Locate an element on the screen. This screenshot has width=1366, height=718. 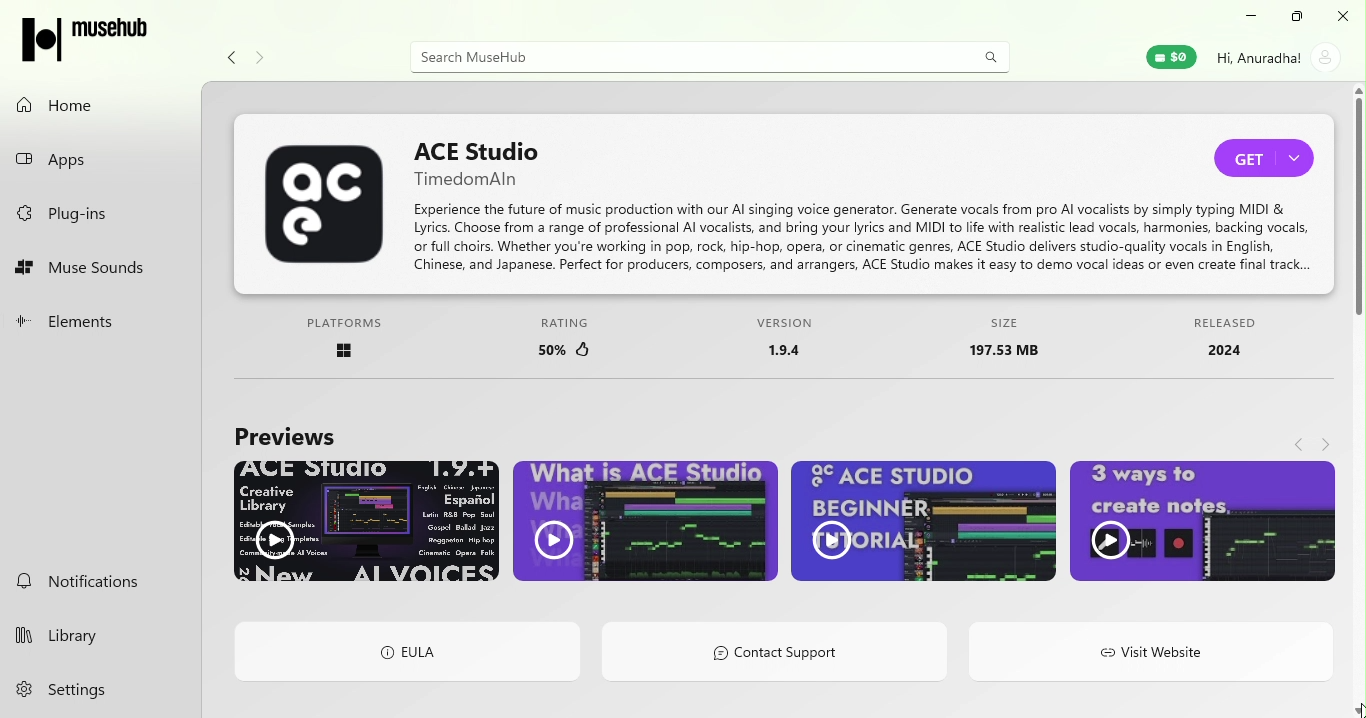
Platforms is located at coordinates (347, 344).